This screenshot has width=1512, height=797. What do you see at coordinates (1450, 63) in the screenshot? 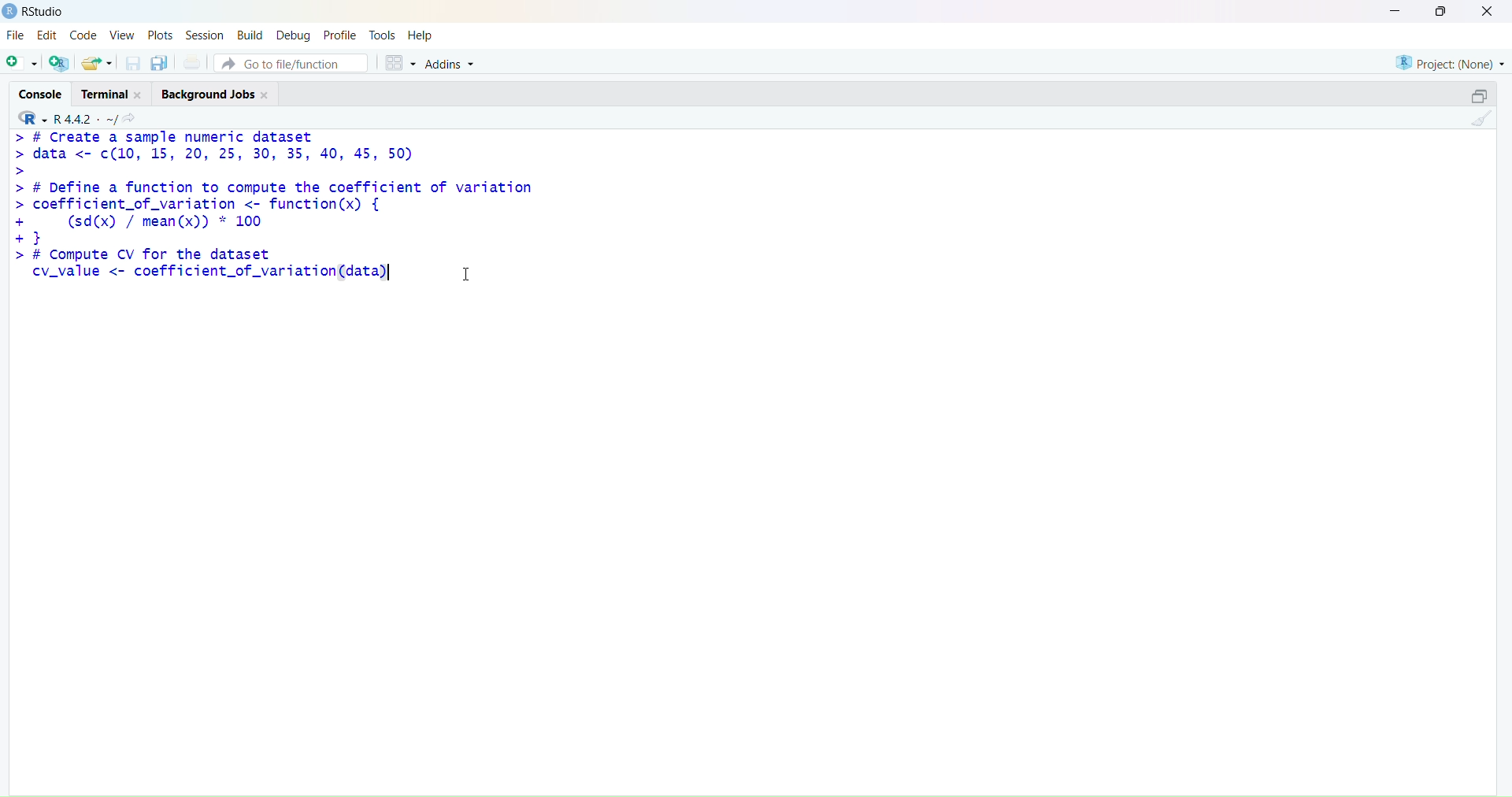
I see `project (none)` at bounding box center [1450, 63].